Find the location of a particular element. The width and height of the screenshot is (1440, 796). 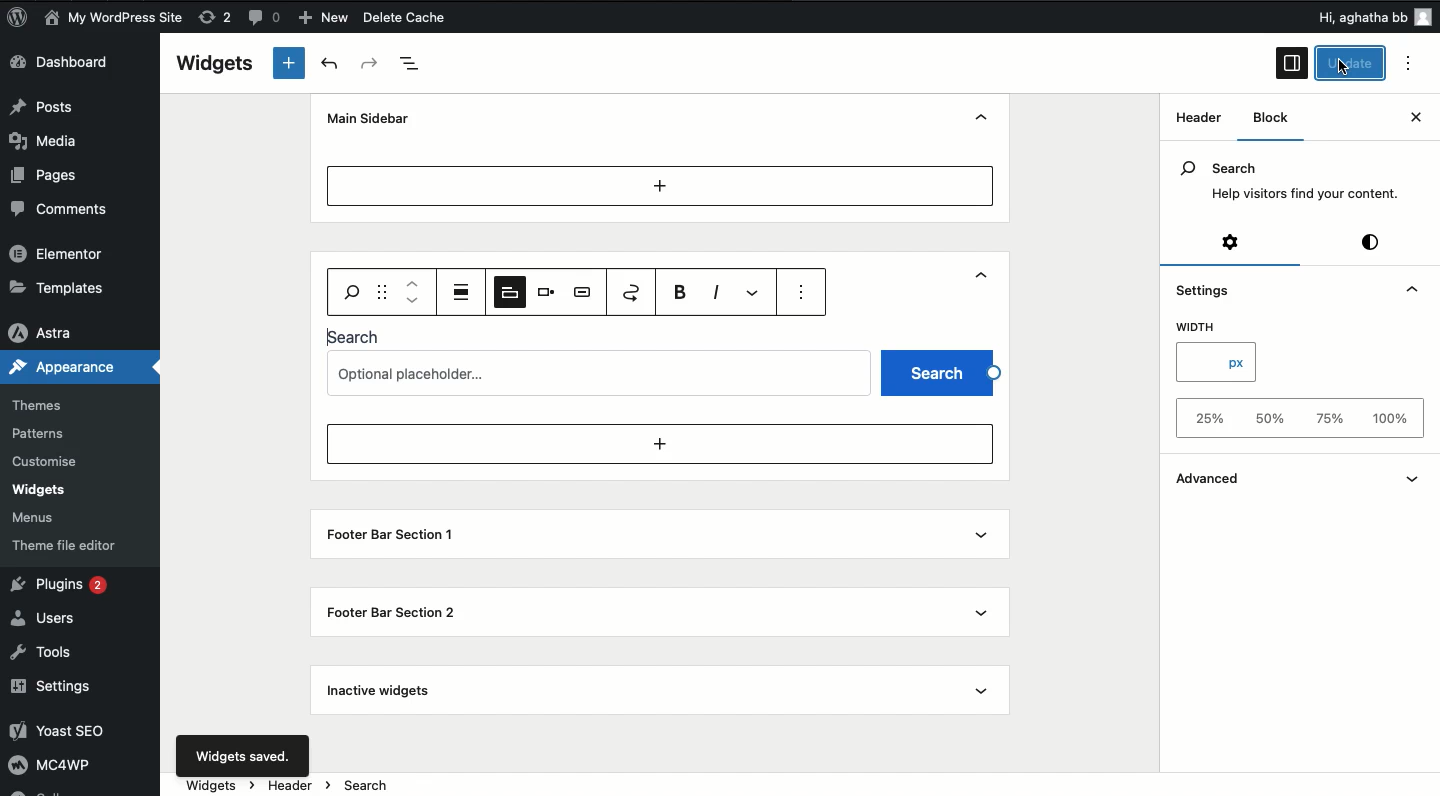

Settings is located at coordinates (1228, 244).